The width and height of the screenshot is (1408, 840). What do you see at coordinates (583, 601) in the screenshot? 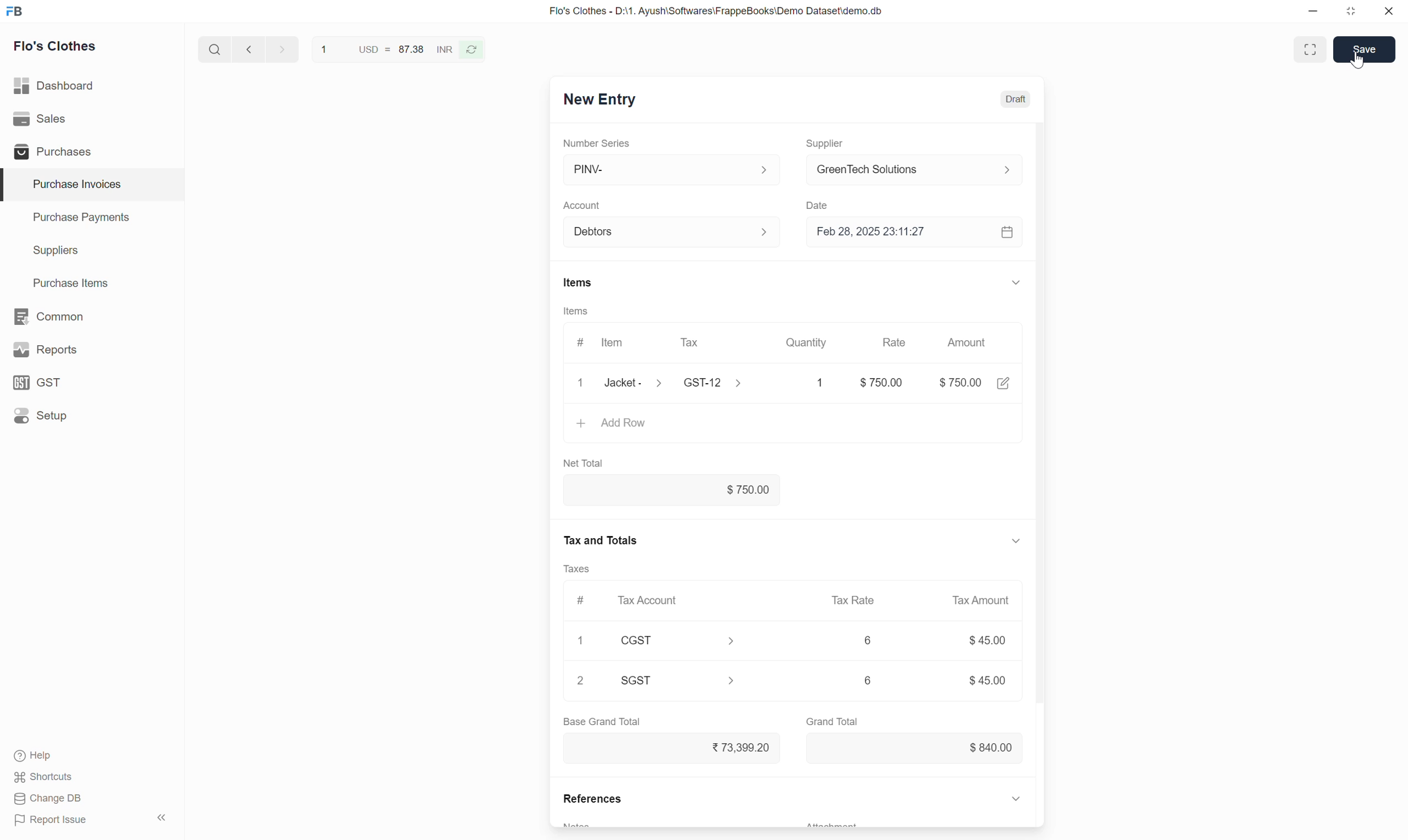
I see `#` at bounding box center [583, 601].